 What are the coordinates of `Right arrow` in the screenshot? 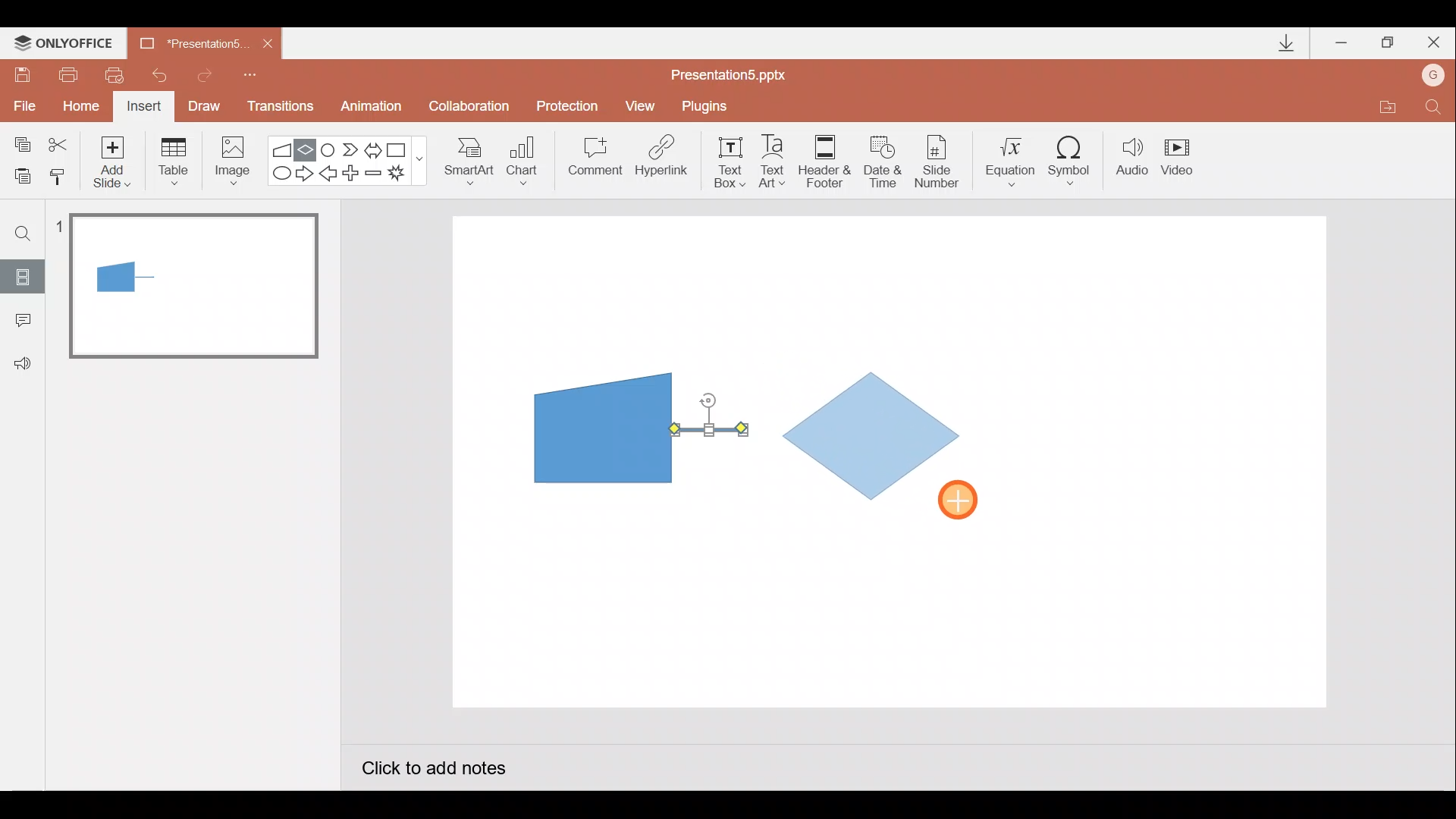 It's located at (306, 172).